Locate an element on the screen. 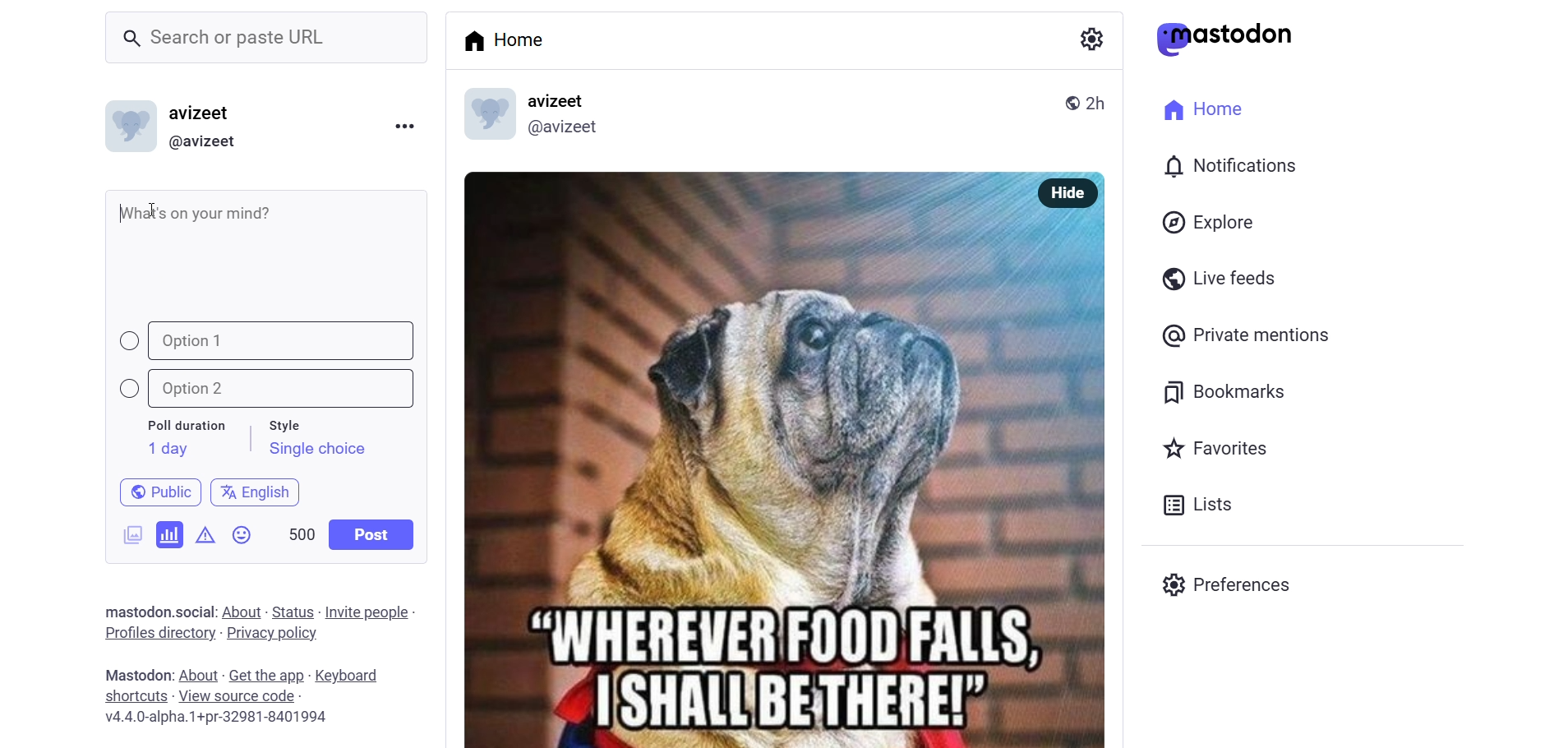  2h is located at coordinates (1102, 95).